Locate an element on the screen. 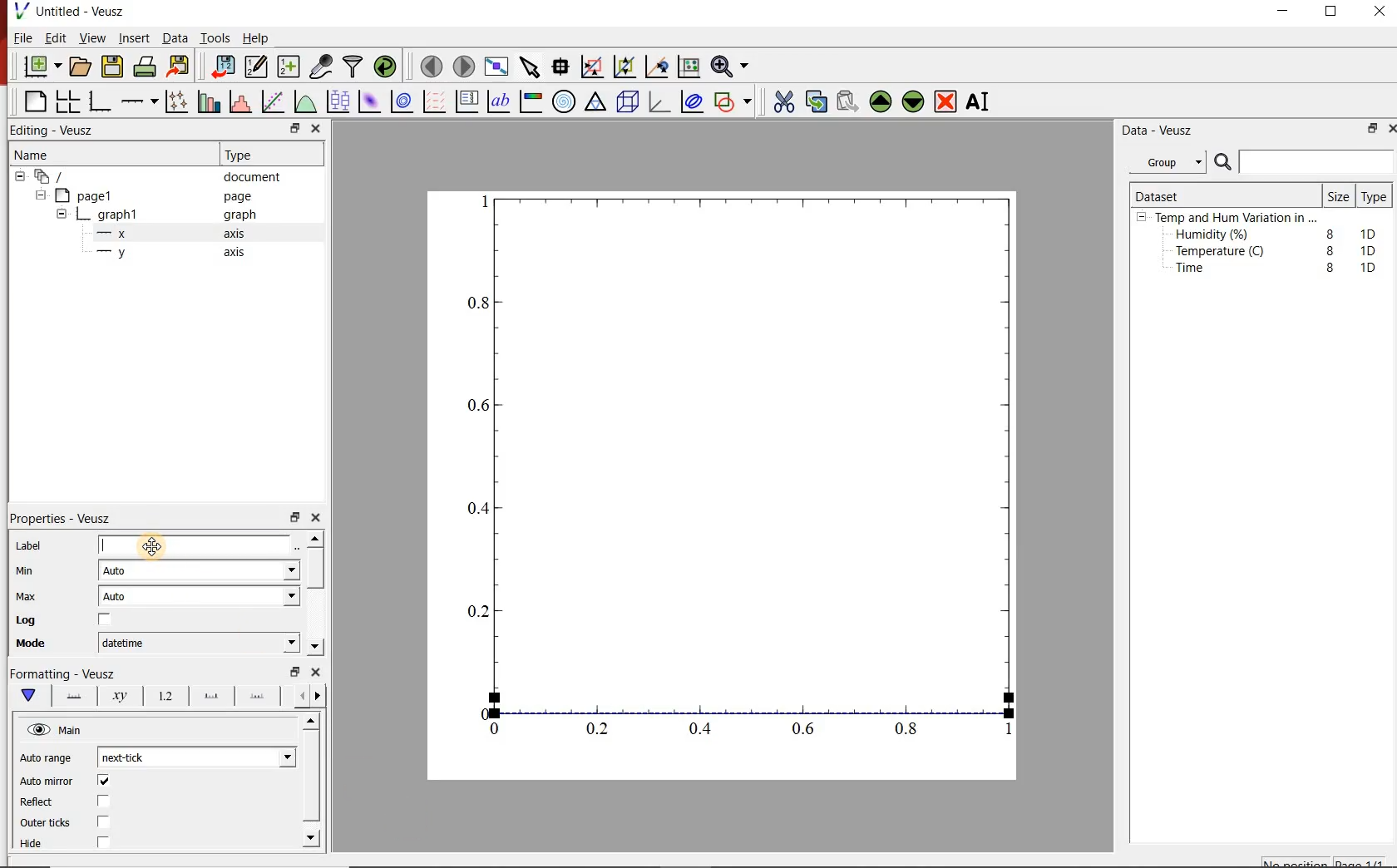 The width and height of the screenshot is (1397, 868). print the document is located at coordinates (146, 69).